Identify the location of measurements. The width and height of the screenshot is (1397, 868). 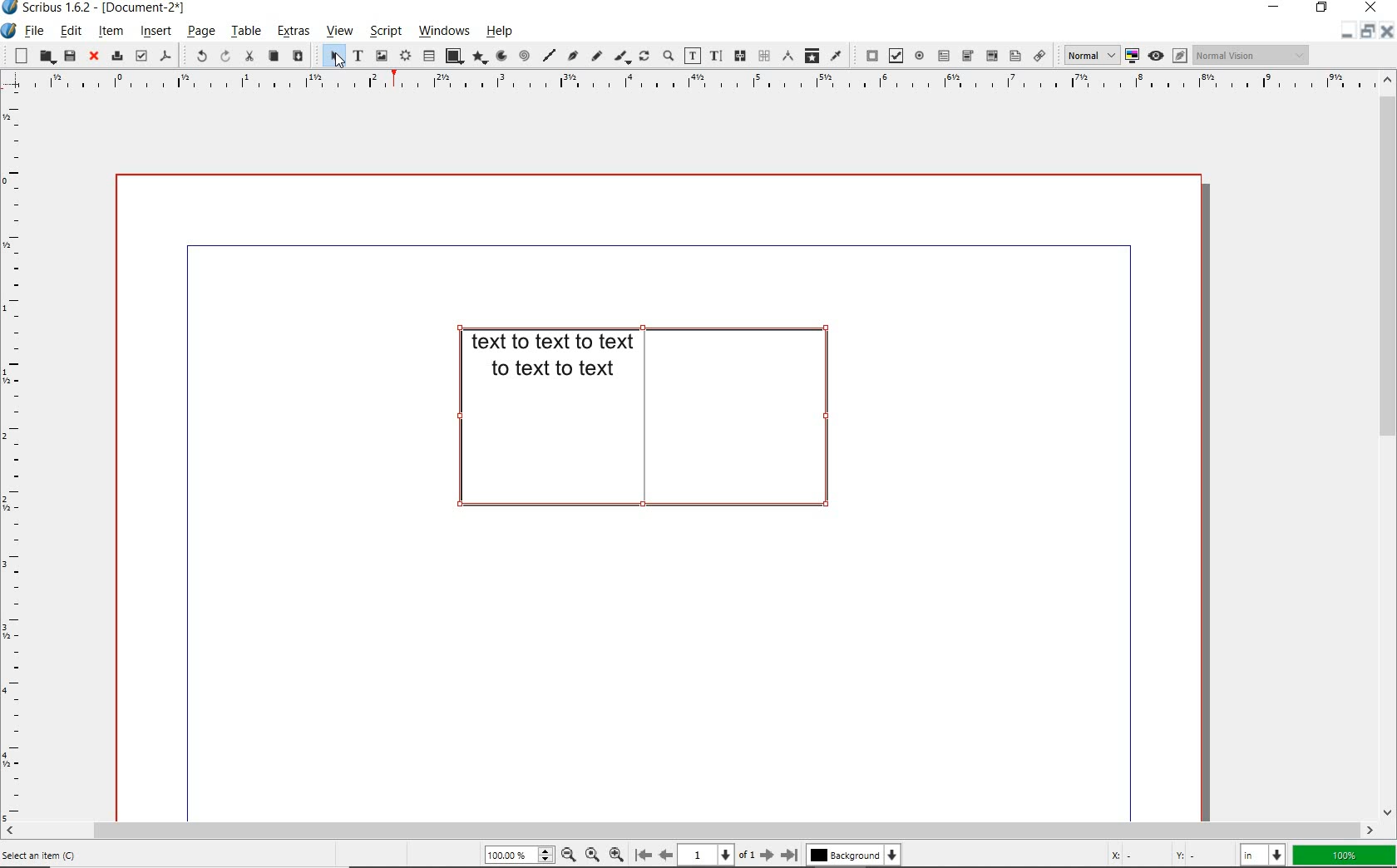
(786, 57).